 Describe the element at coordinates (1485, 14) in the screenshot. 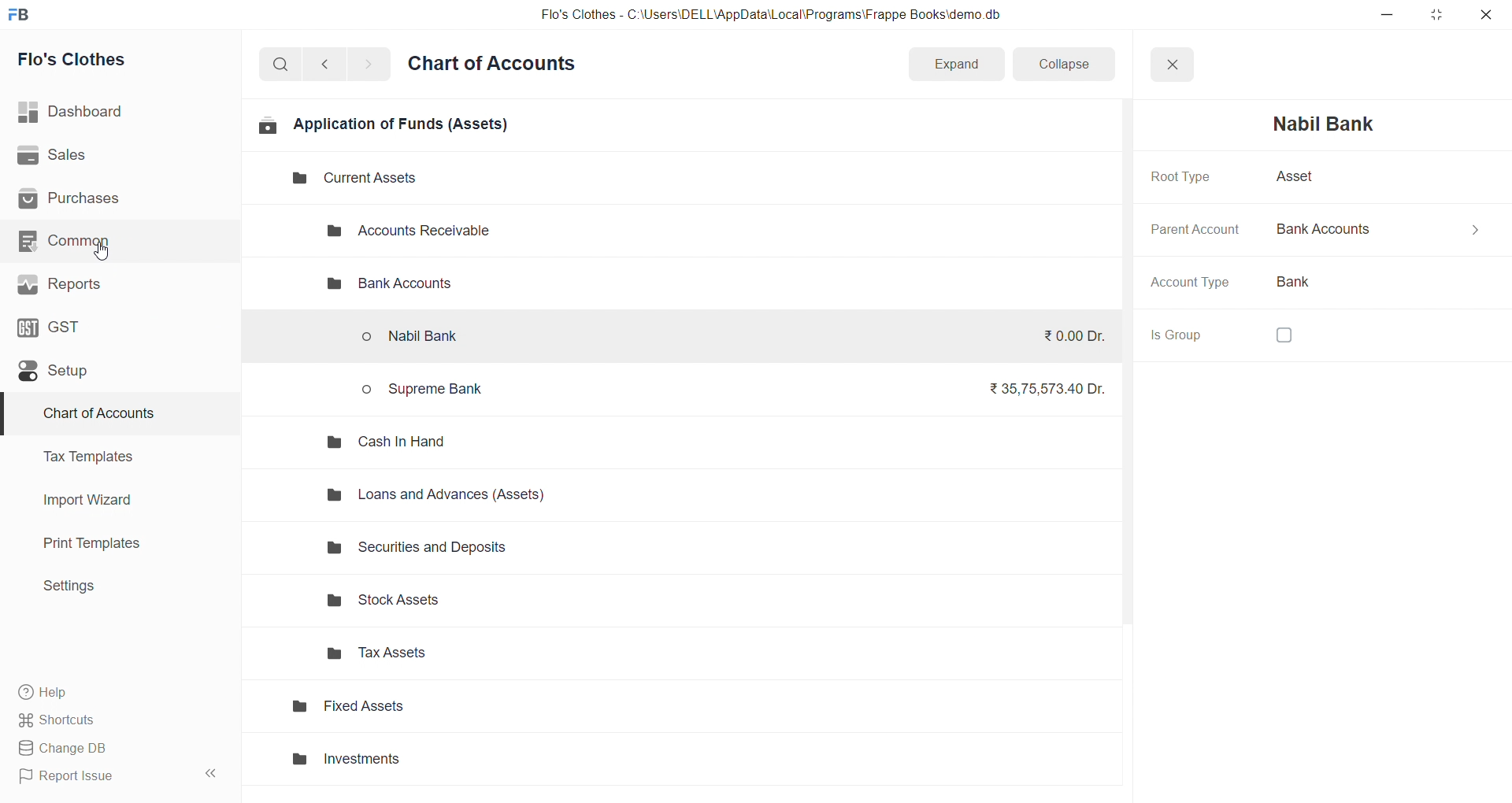

I see `close` at that location.